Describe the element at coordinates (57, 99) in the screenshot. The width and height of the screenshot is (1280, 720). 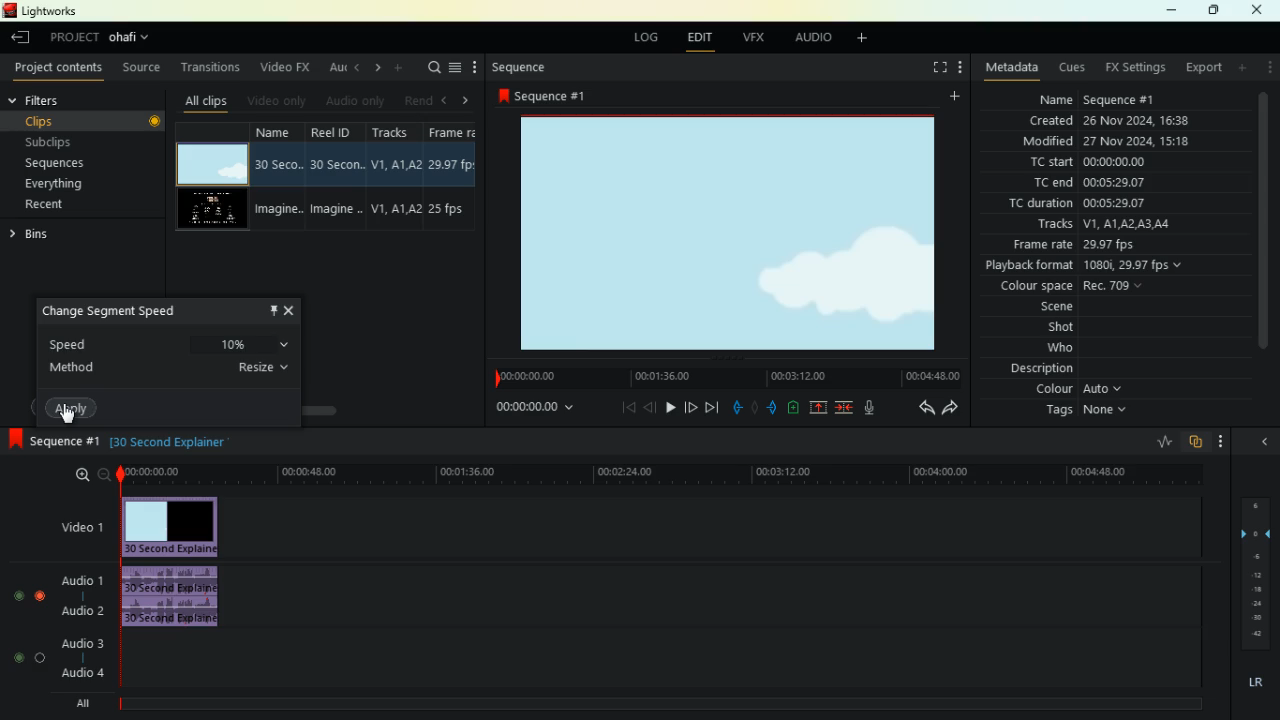
I see `filters` at that location.